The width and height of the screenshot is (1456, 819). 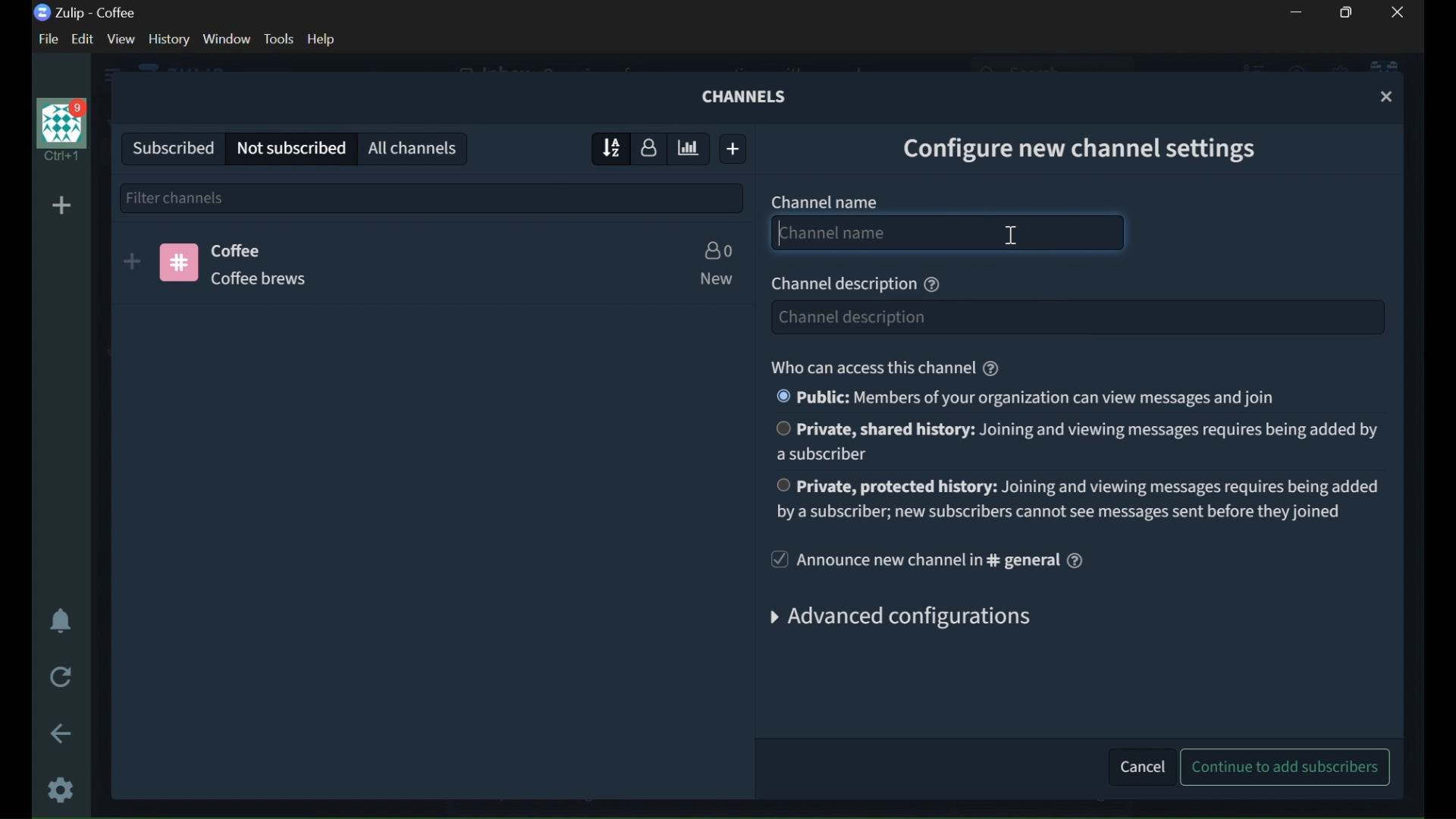 What do you see at coordinates (240, 249) in the screenshot?
I see `CHANNEL NAME` at bounding box center [240, 249].